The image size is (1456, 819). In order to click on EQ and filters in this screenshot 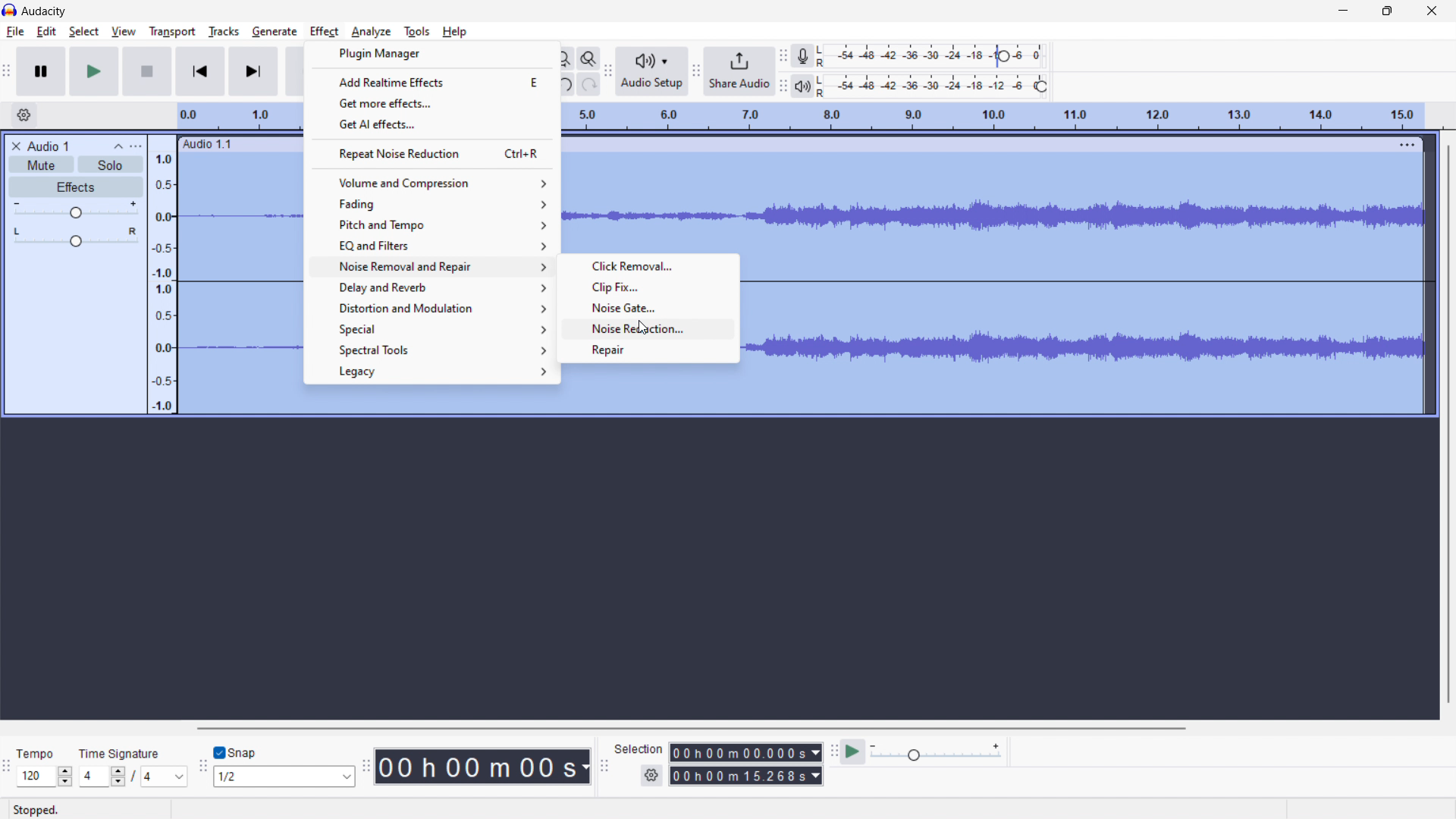, I will do `click(431, 244)`.